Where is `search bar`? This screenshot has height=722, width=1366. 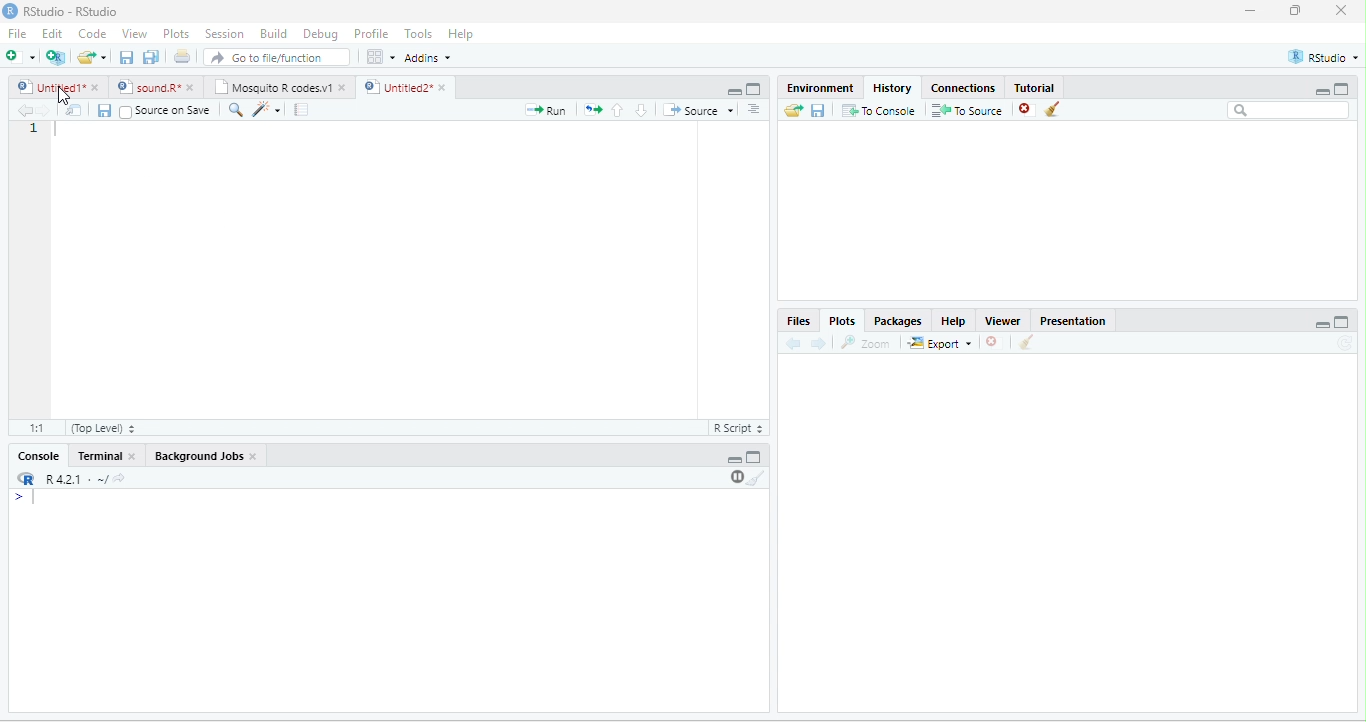
search bar is located at coordinates (1289, 109).